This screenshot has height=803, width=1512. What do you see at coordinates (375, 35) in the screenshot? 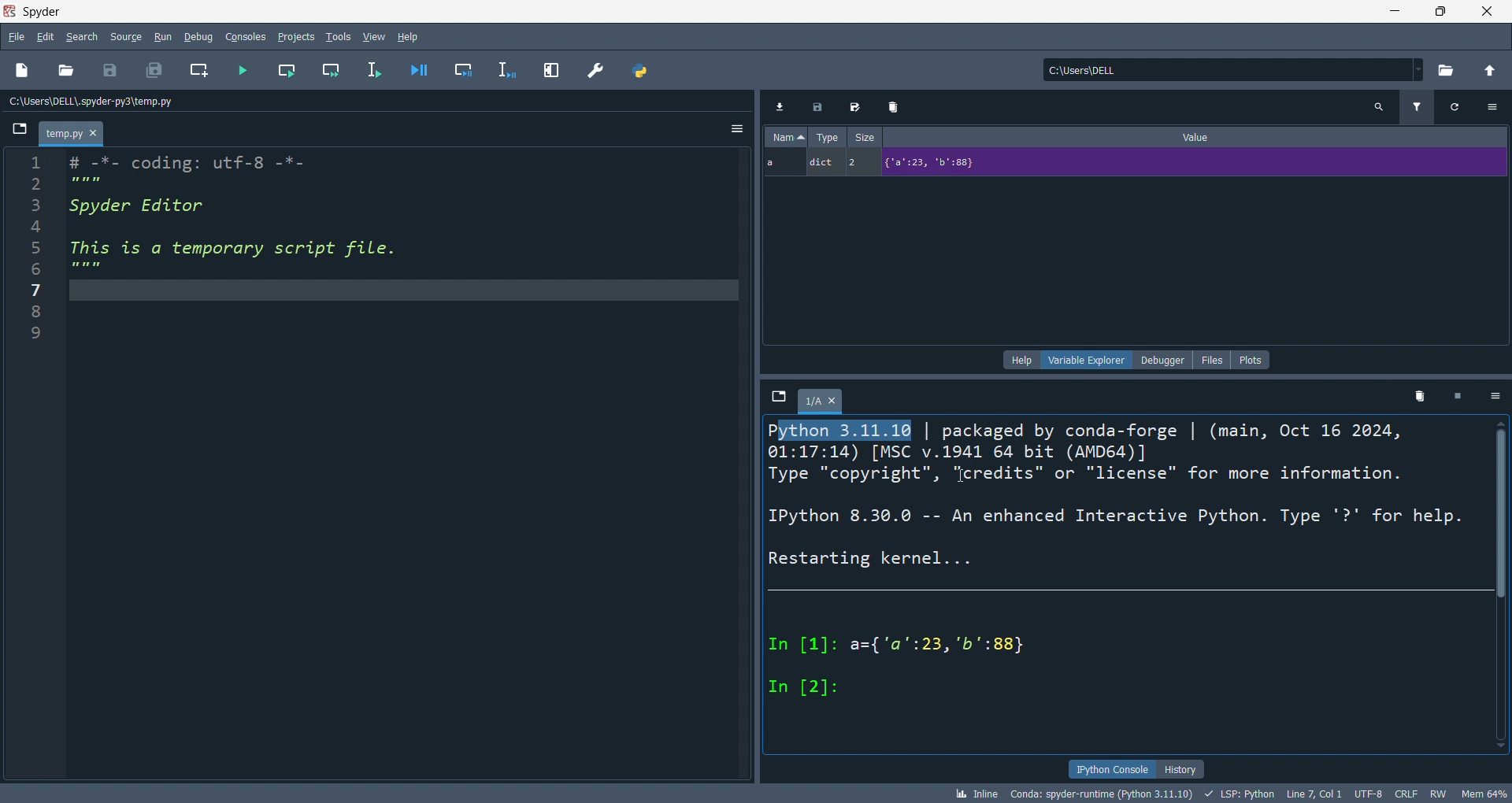
I see `viewn` at bounding box center [375, 35].